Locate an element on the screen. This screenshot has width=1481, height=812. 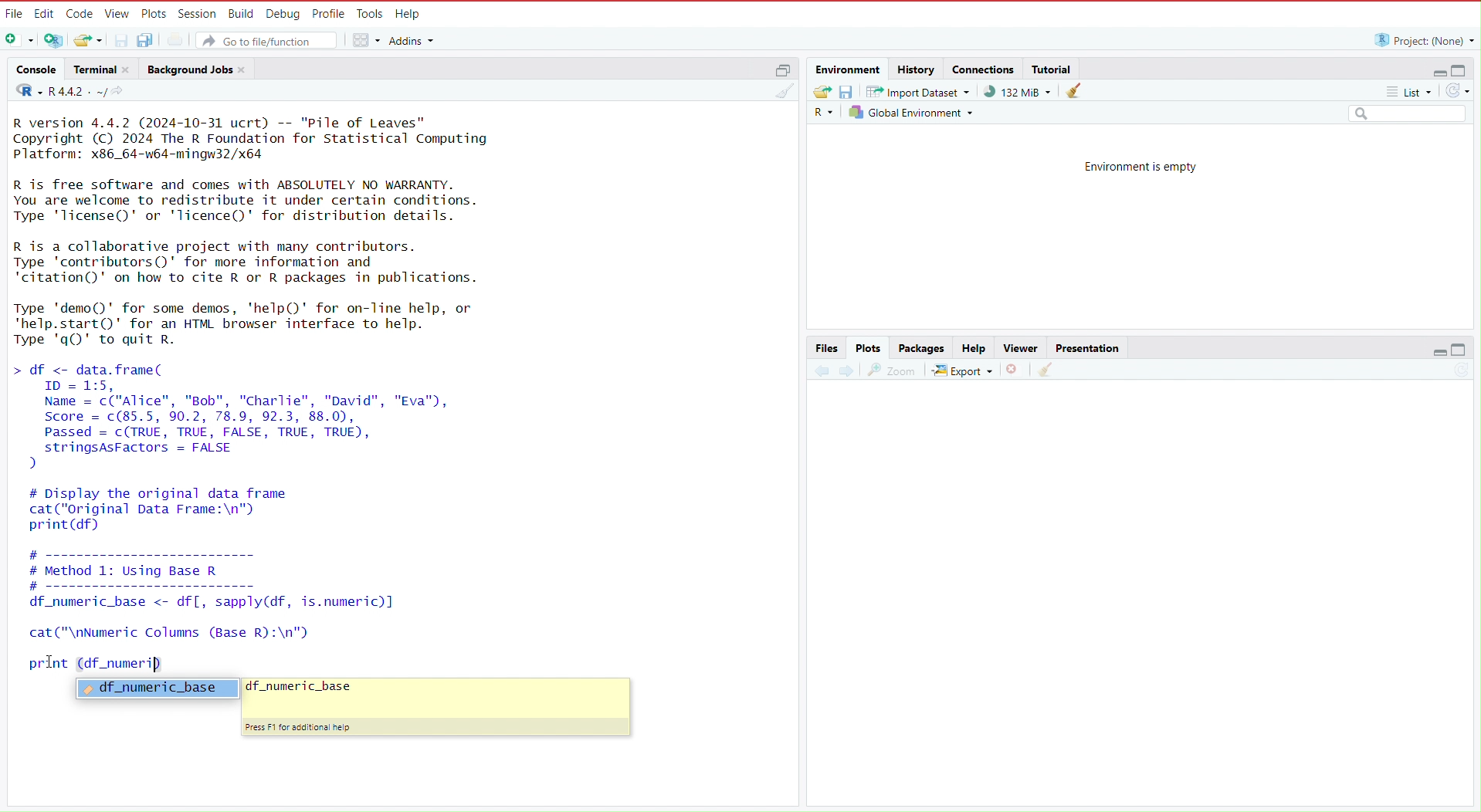
Import dataset is located at coordinates (920, 92).